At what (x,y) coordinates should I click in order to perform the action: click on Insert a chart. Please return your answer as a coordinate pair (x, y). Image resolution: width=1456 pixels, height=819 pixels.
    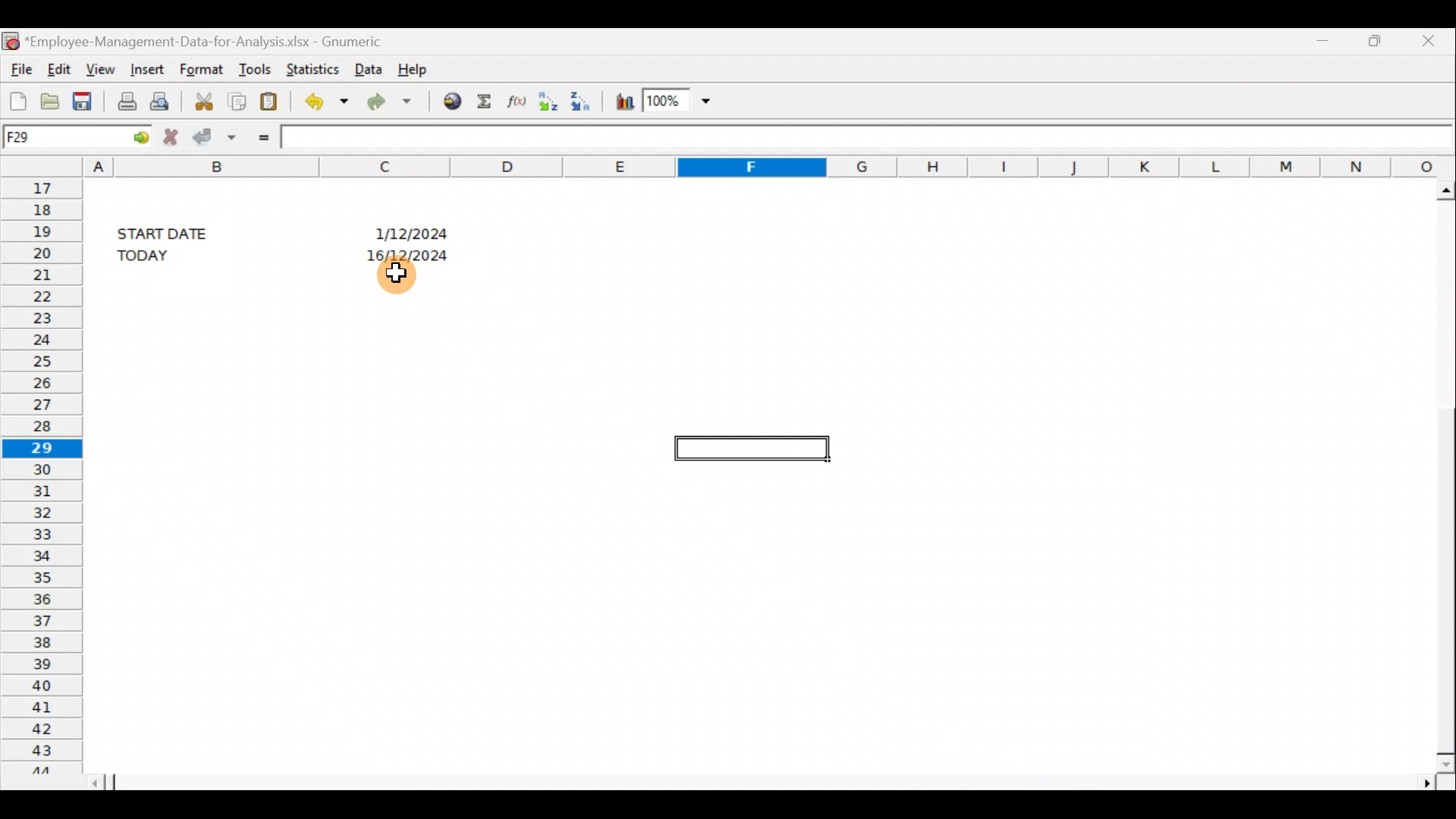
    Looking at the image, I should click on (623, 99).